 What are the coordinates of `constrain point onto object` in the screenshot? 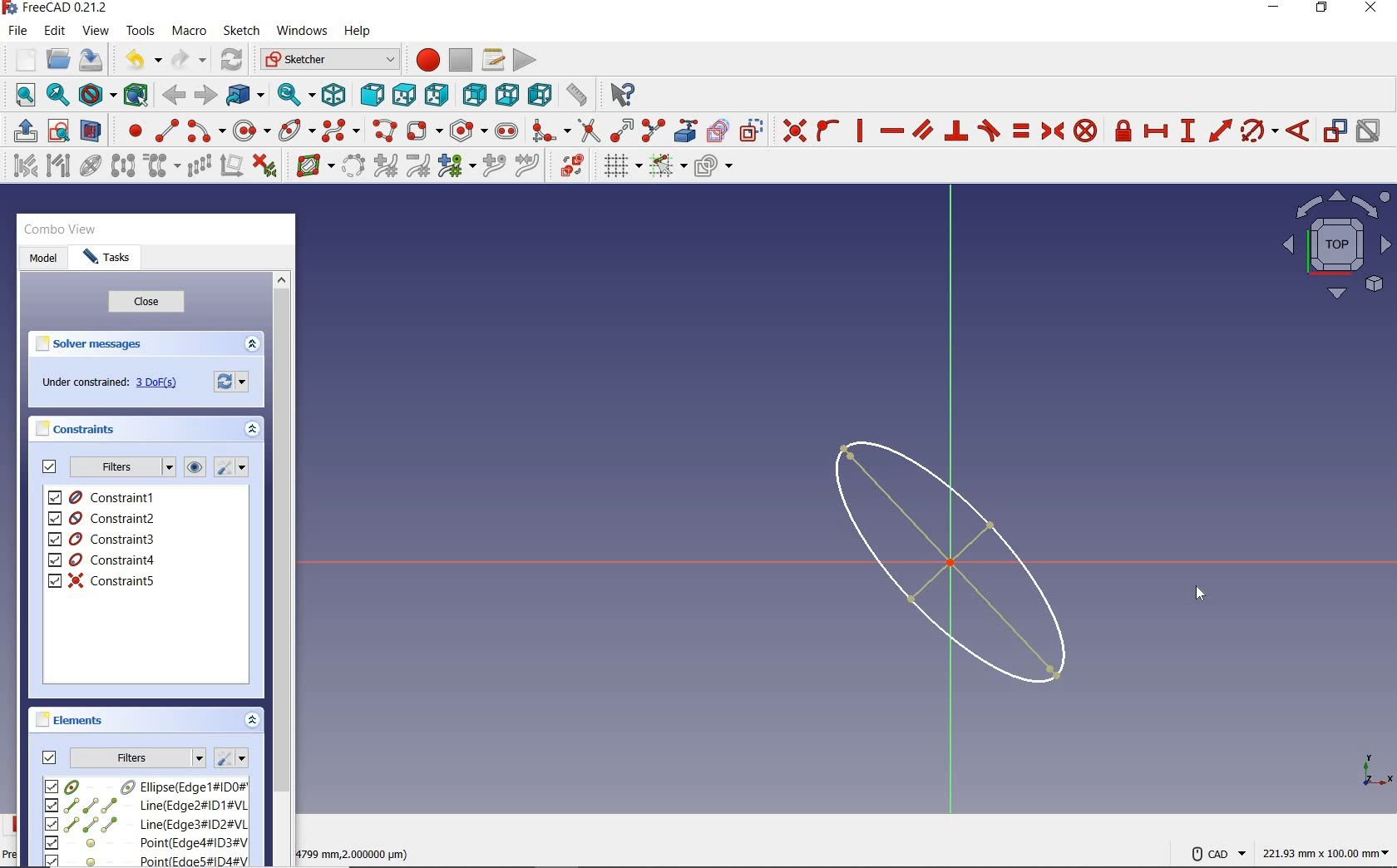 It's located at (828, 131).